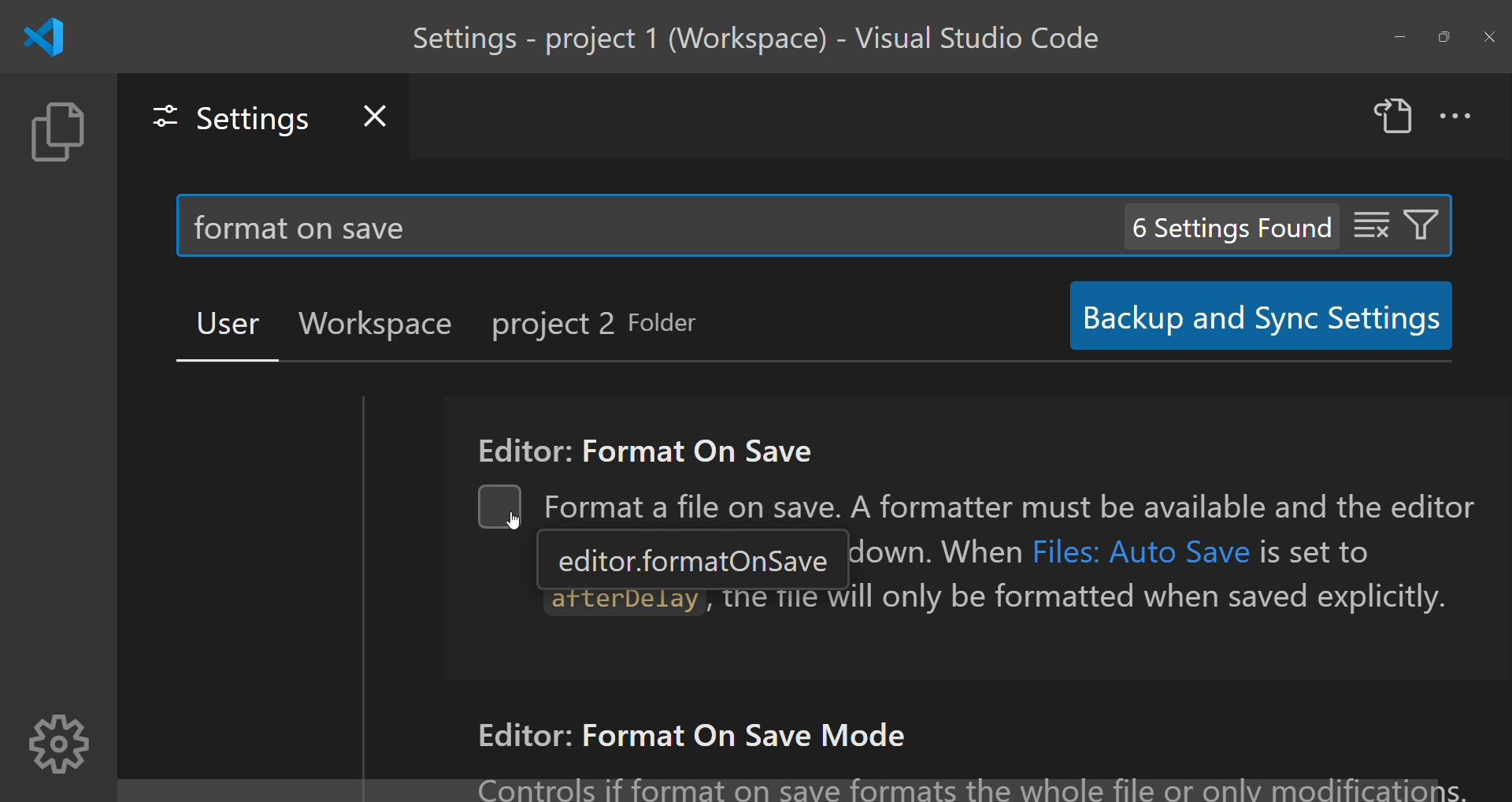 The width and height of the screenshot is (1512, 802). Describe the element at coordinates (1252, 316) in the screenshot. I see `backup and sync settings` at that location.